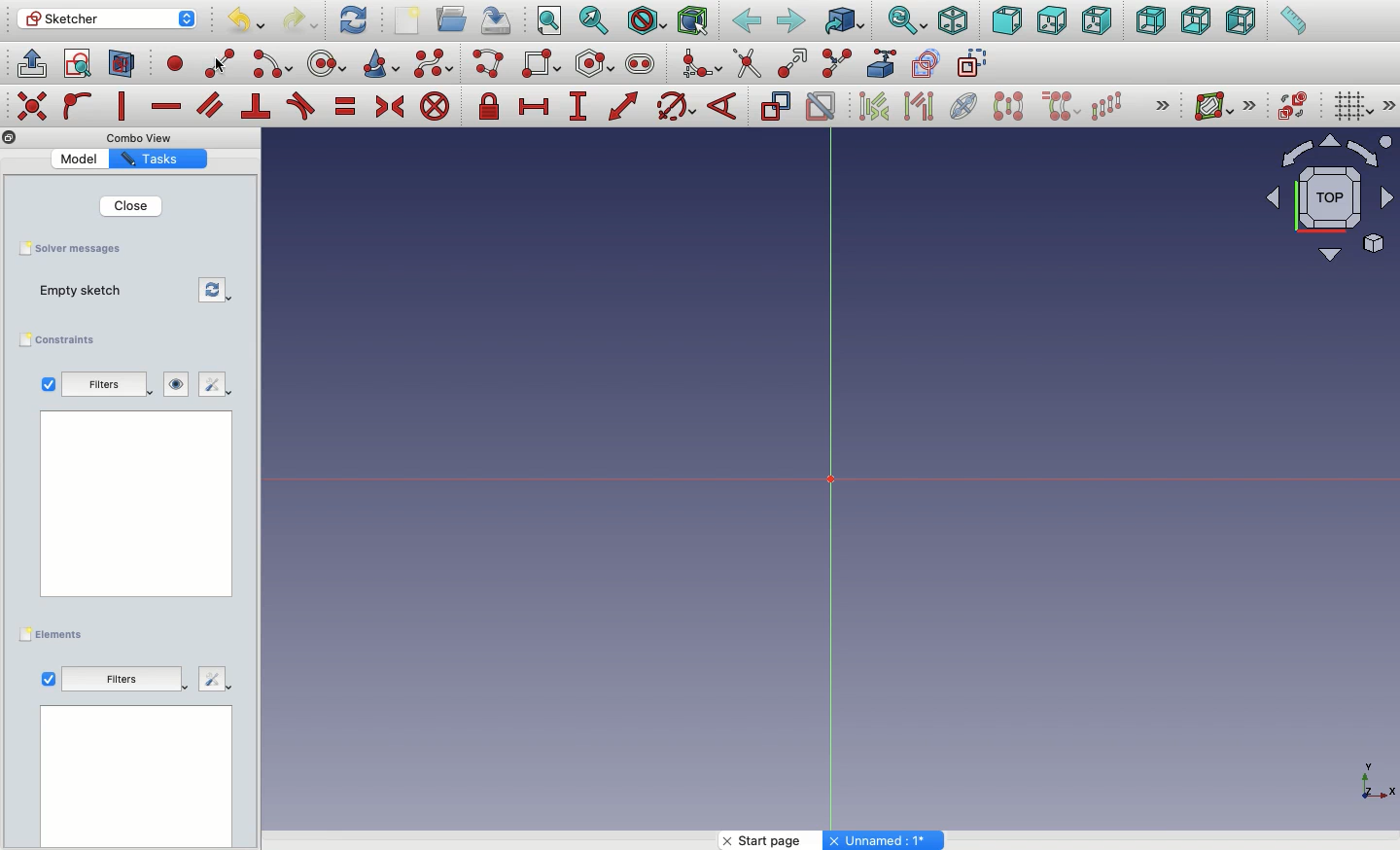  I want to click on Constrain equal, so click(346, 110).